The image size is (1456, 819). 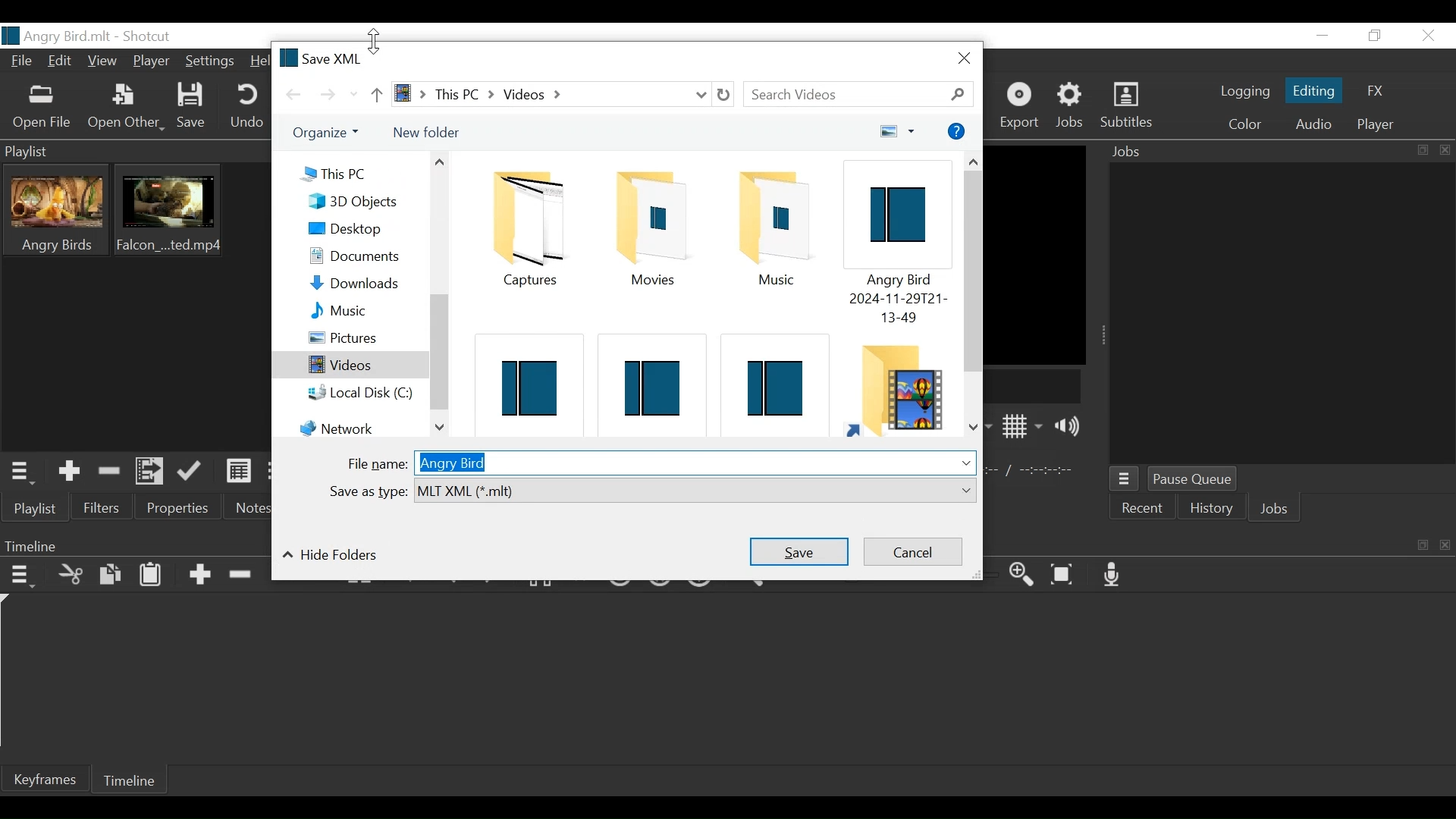 I want to click on Record audio, so click(x=1112, y=575).